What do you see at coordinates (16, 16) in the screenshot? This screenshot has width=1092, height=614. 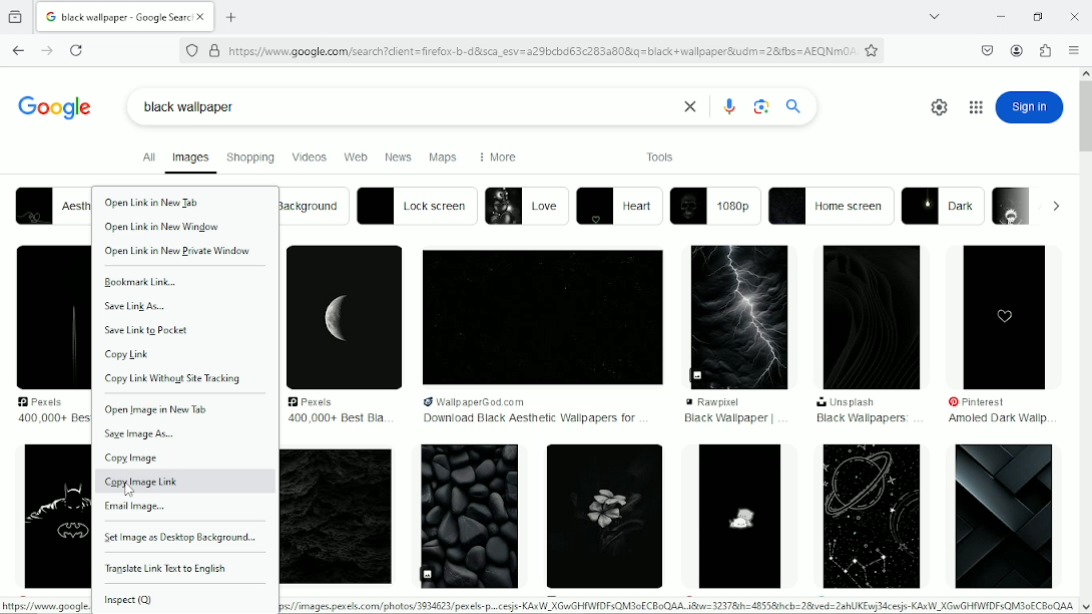 I see `view recent browsing` at bounding box center [16, 16].